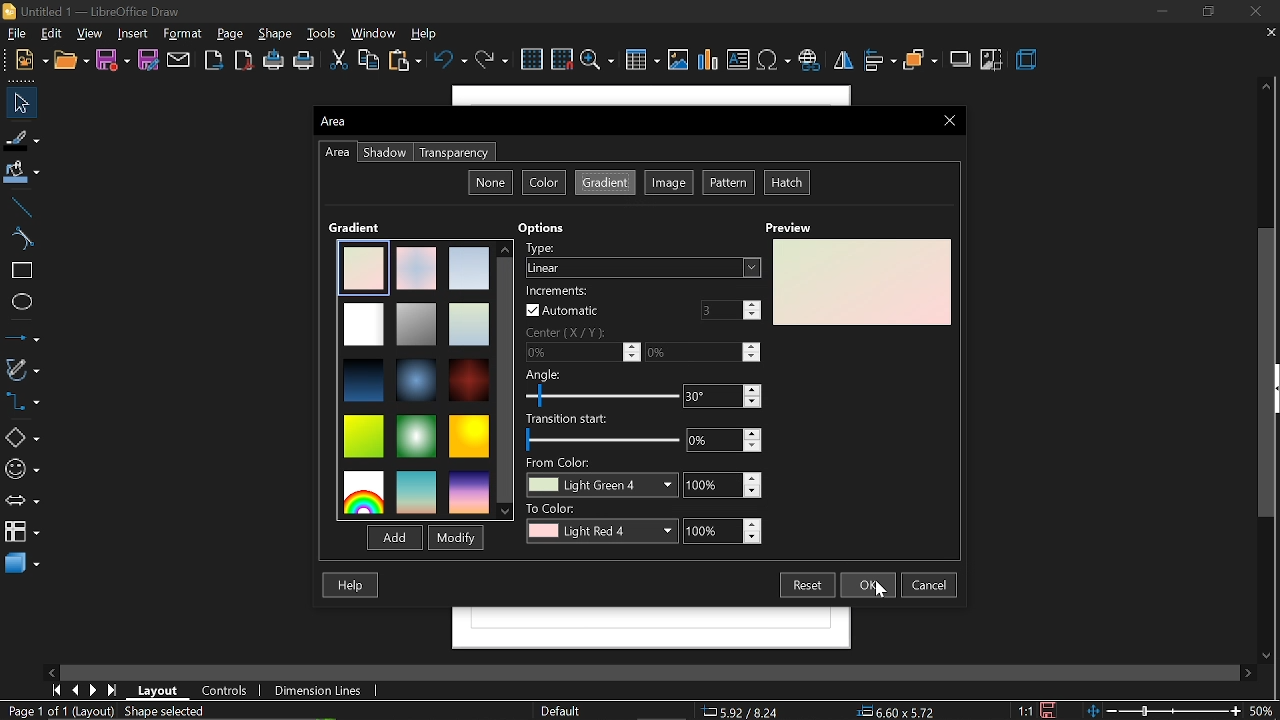  What do you see at coordinates (730, 183) in the screenshot?
I see `Pattern` at bounding box center [730, 183].